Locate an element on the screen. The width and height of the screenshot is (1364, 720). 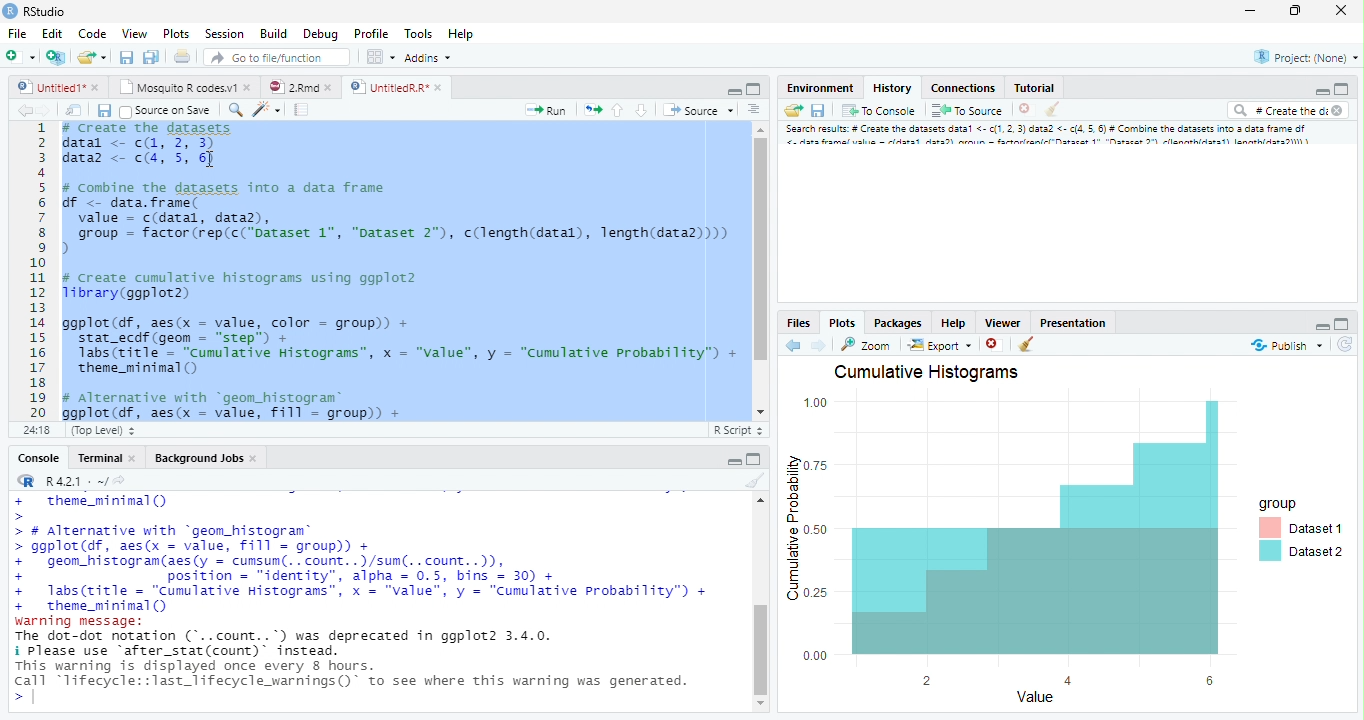
Minimize is located at coordinates (1319, 325).